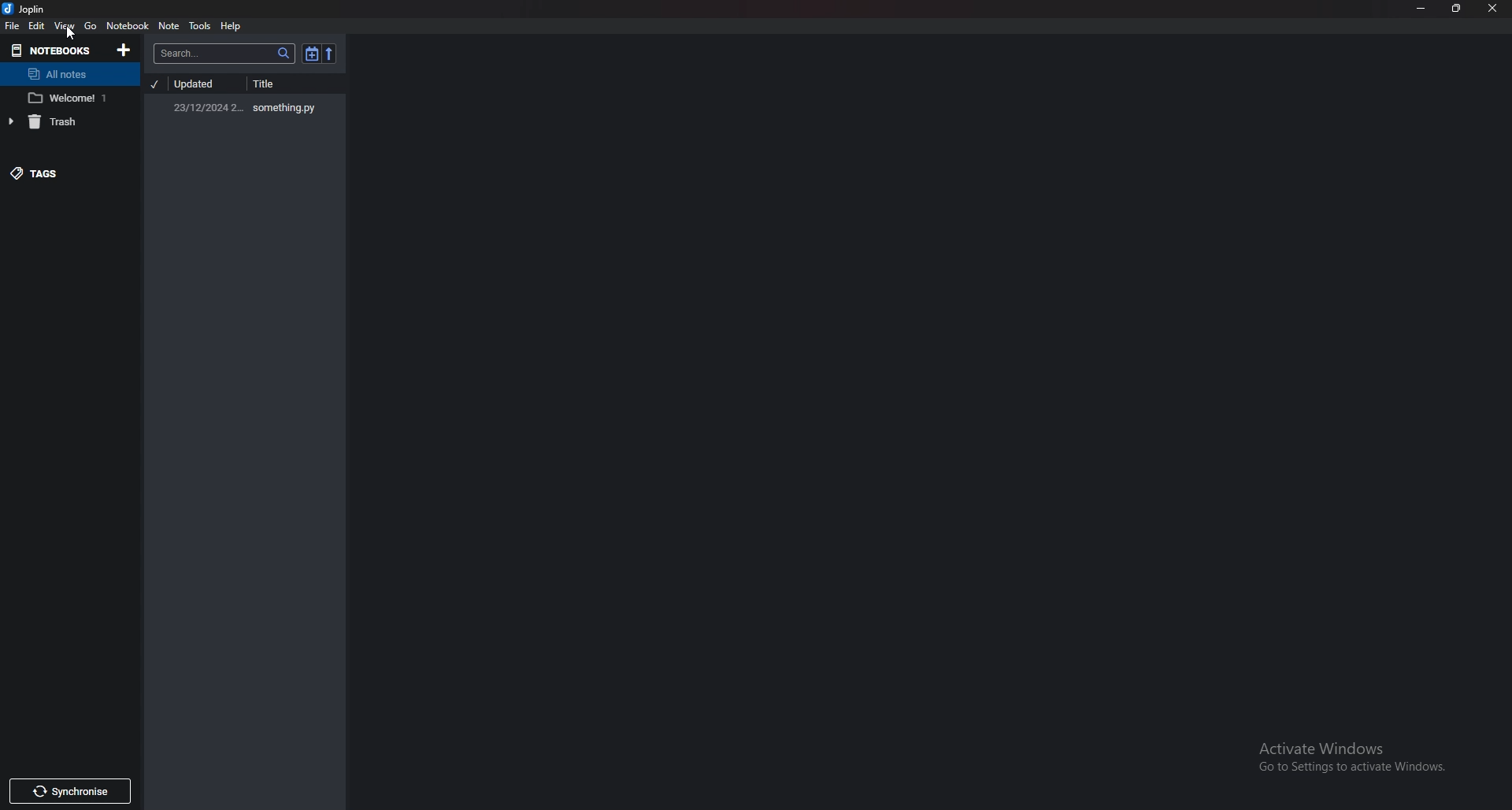  What do you see at coordinates (13, 26) in the screenshot?
I see `File` at bounding box center [13, 26].